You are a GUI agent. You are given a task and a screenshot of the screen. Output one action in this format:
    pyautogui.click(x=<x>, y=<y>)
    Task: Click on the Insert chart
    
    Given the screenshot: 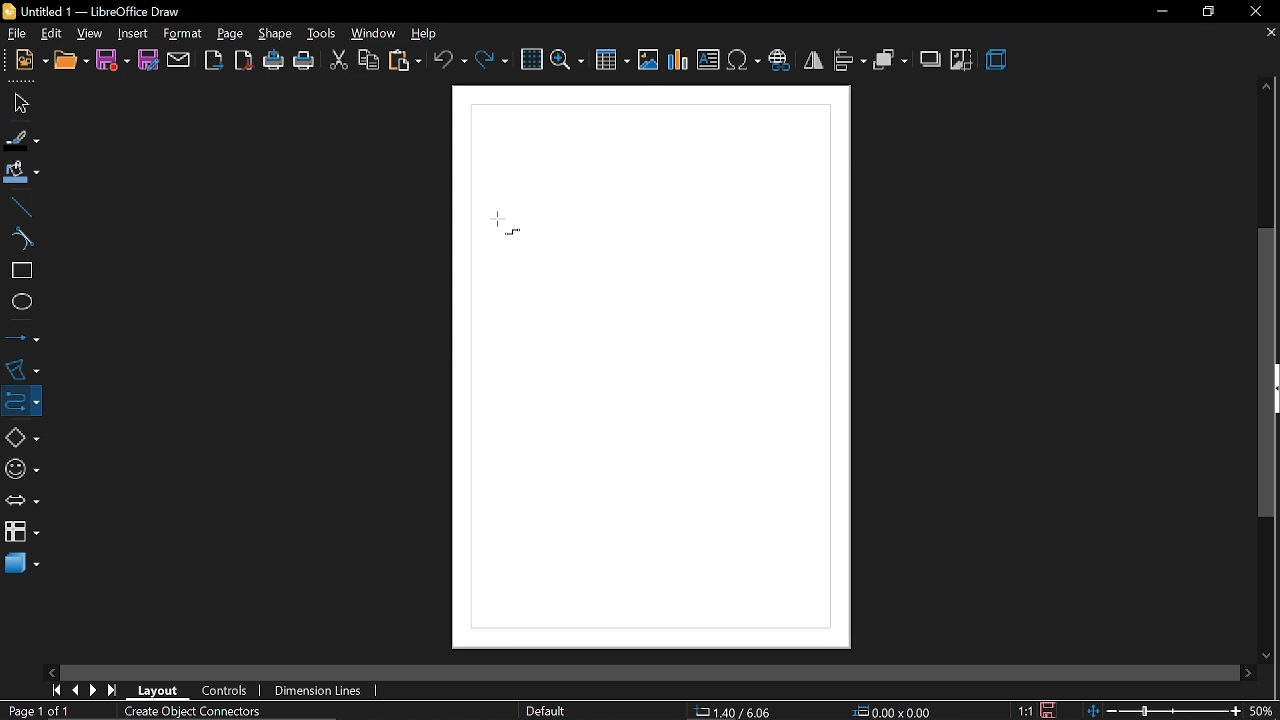 What is the action you would take?
    pyautogui.click(x=679, y=60)
    